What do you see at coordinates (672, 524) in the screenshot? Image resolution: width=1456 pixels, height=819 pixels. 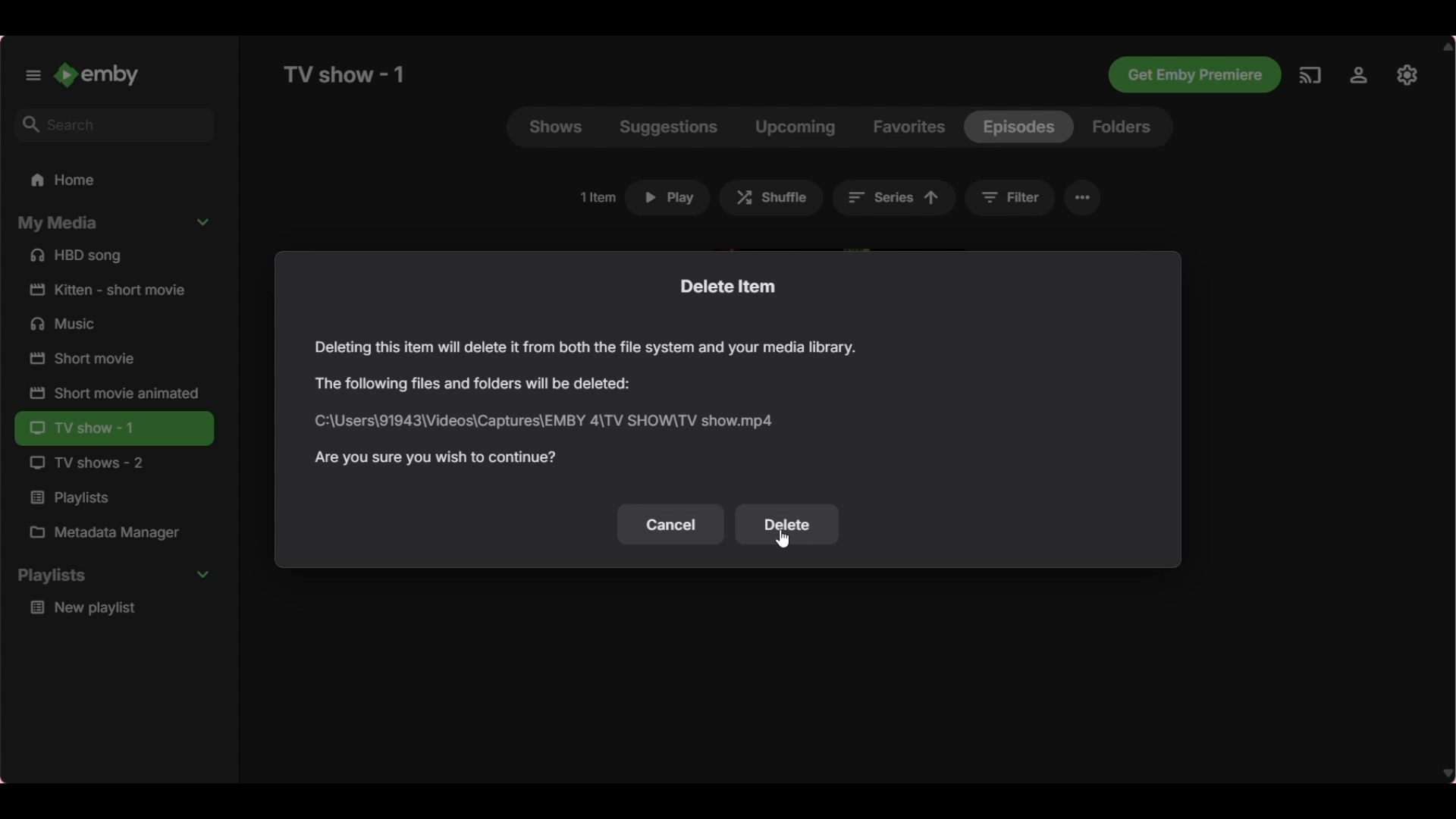 I see `Un-save selection` at bounding box center [672, 524].